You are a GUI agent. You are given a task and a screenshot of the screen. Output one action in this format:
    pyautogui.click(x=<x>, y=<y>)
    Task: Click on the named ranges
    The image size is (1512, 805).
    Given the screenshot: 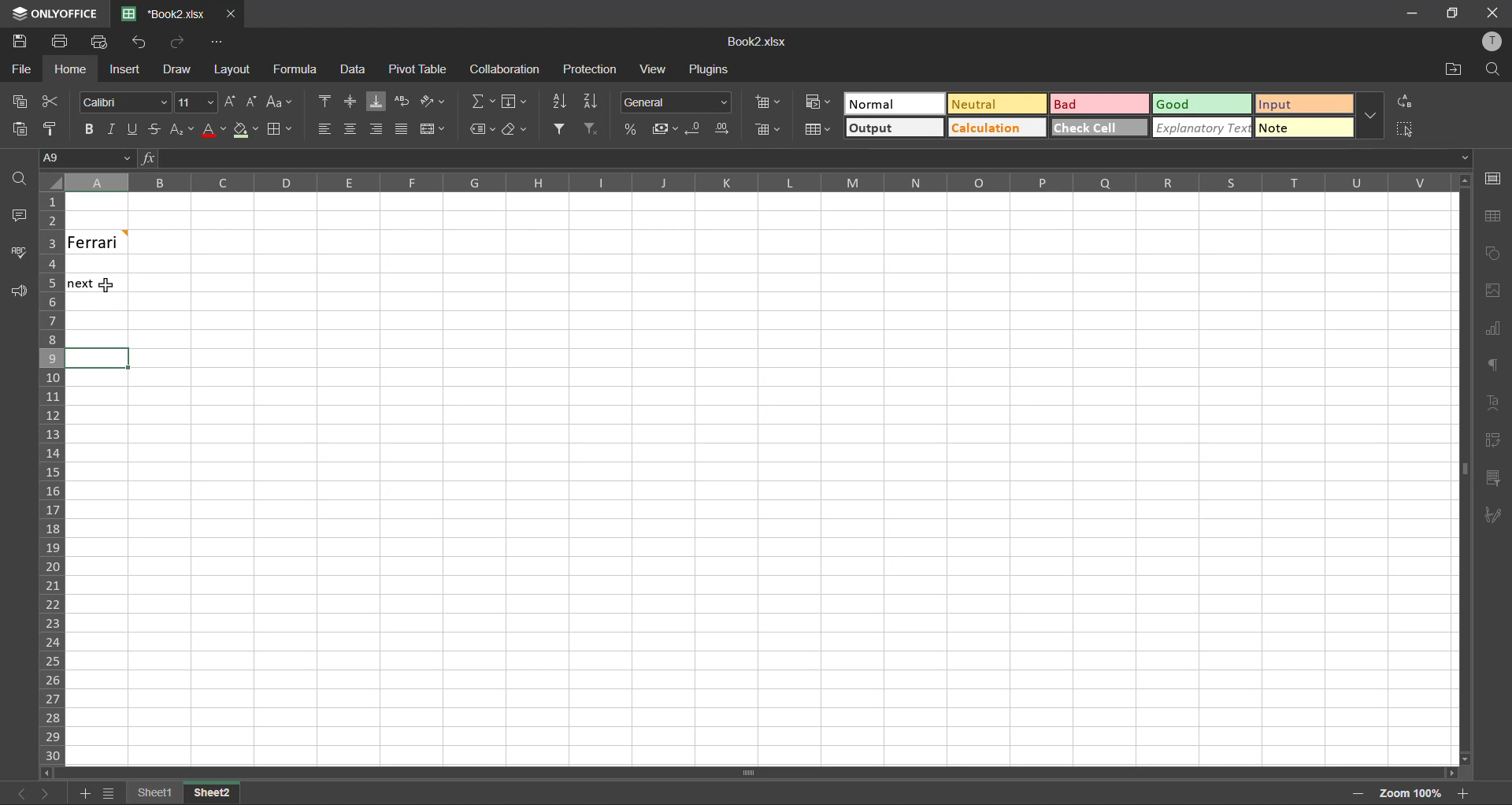 What is the action you would take?
    pyautogui.click(x=482, y=130)
    